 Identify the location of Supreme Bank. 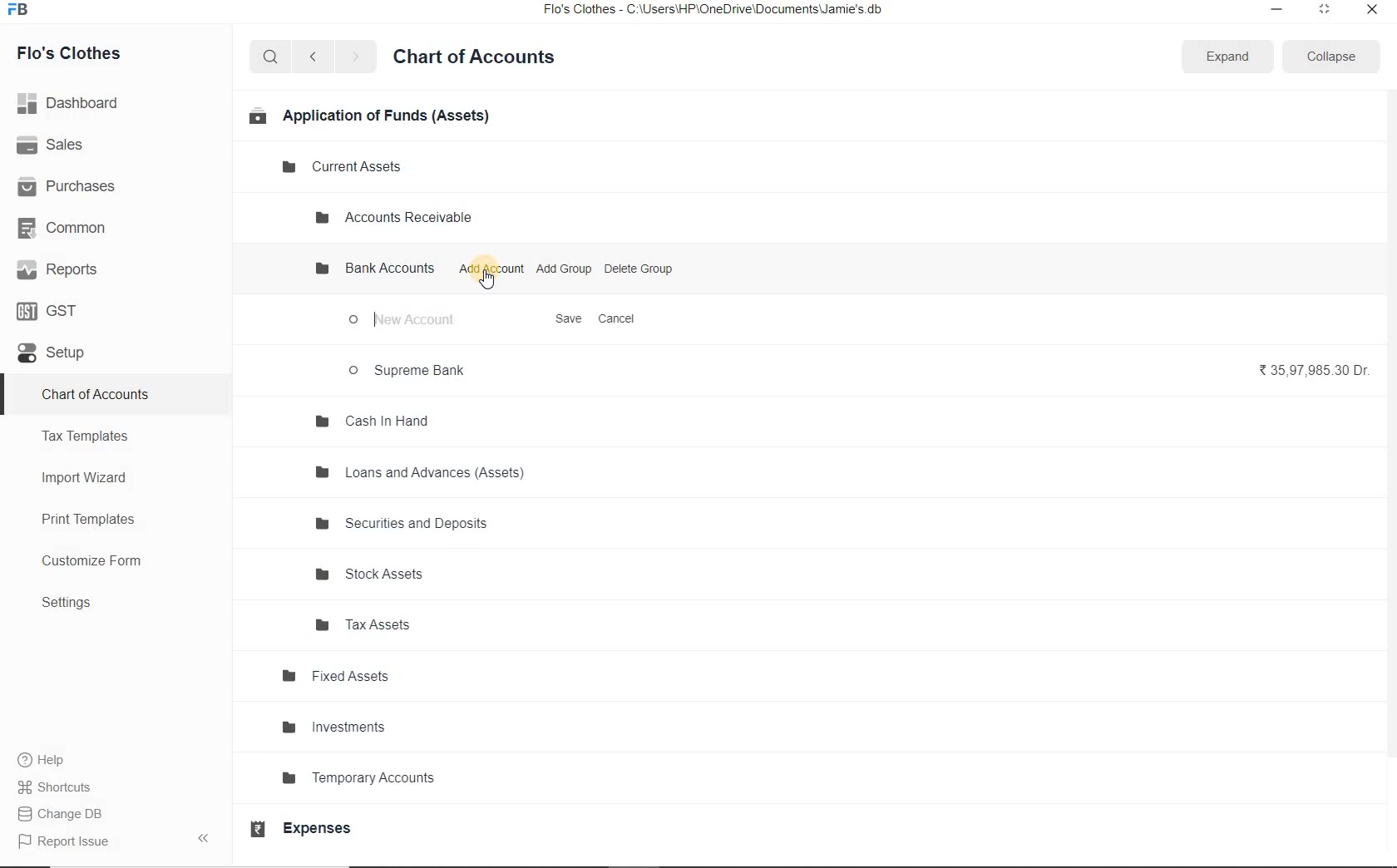
(409, 371).